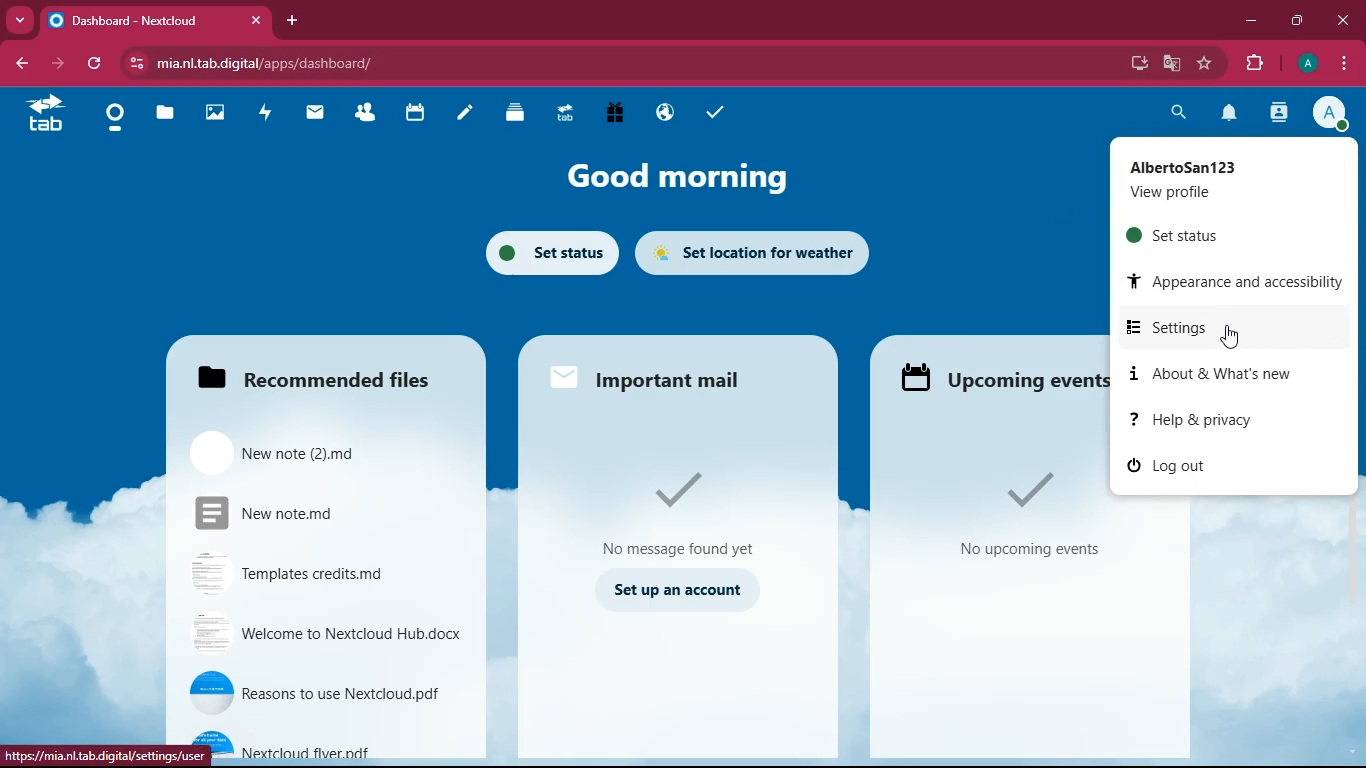 The height and width of the screenshot is (768, 1366). I want to click on No Upcoming events, so click(1028, 553).